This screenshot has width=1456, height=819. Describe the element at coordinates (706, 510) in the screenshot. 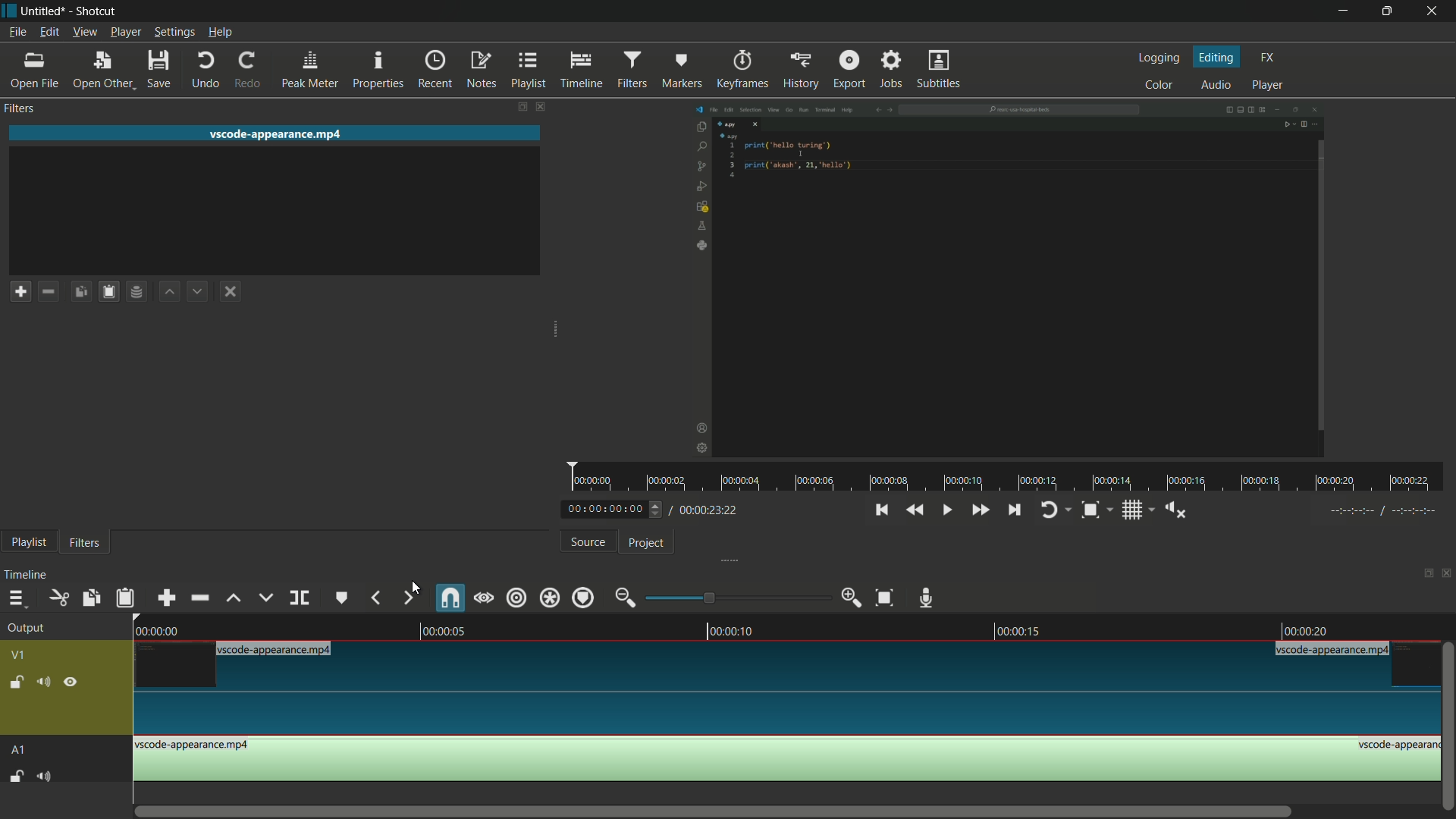

I see `total time` at that location.